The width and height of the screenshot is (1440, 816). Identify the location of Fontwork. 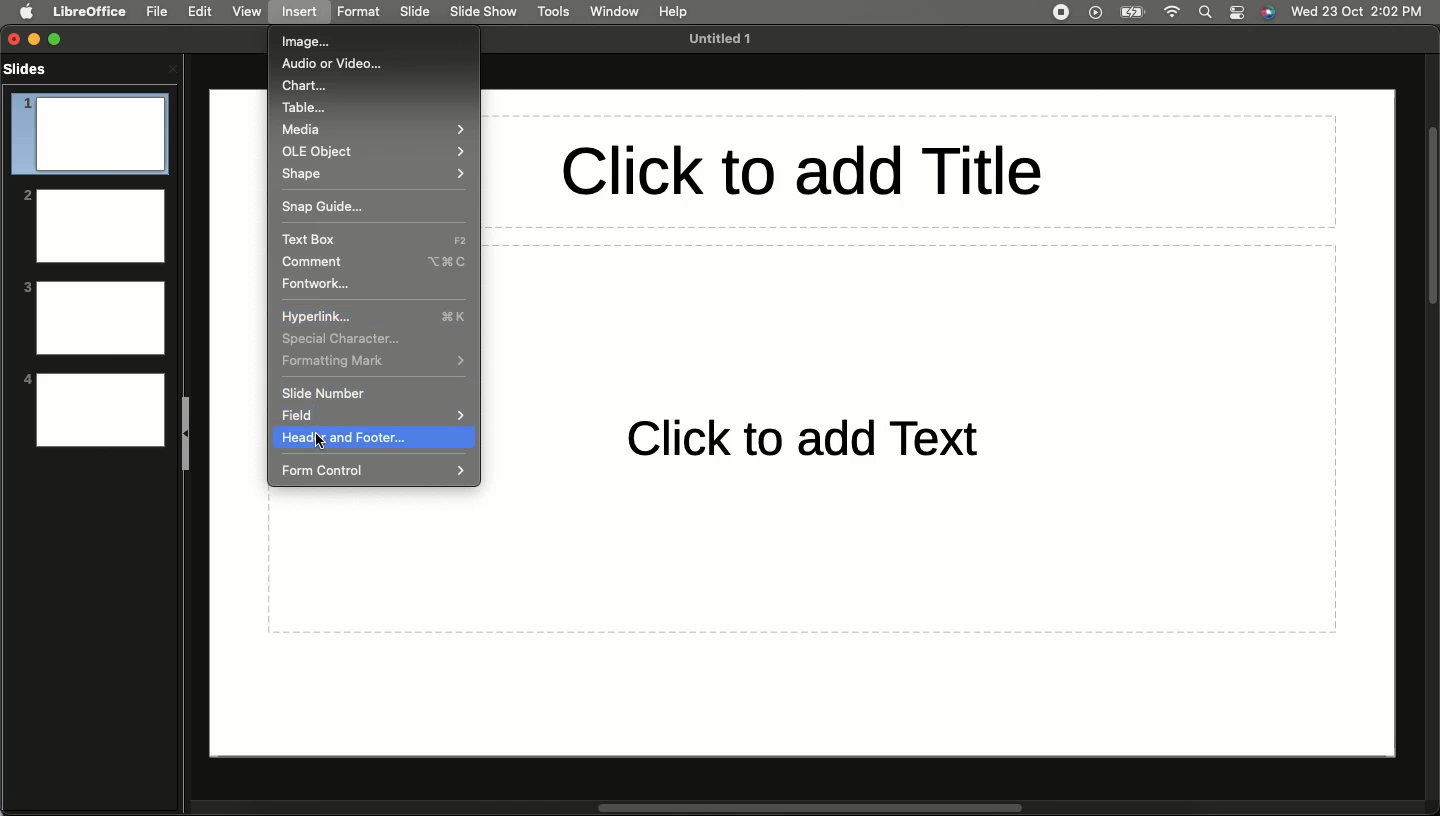
(316, 284).